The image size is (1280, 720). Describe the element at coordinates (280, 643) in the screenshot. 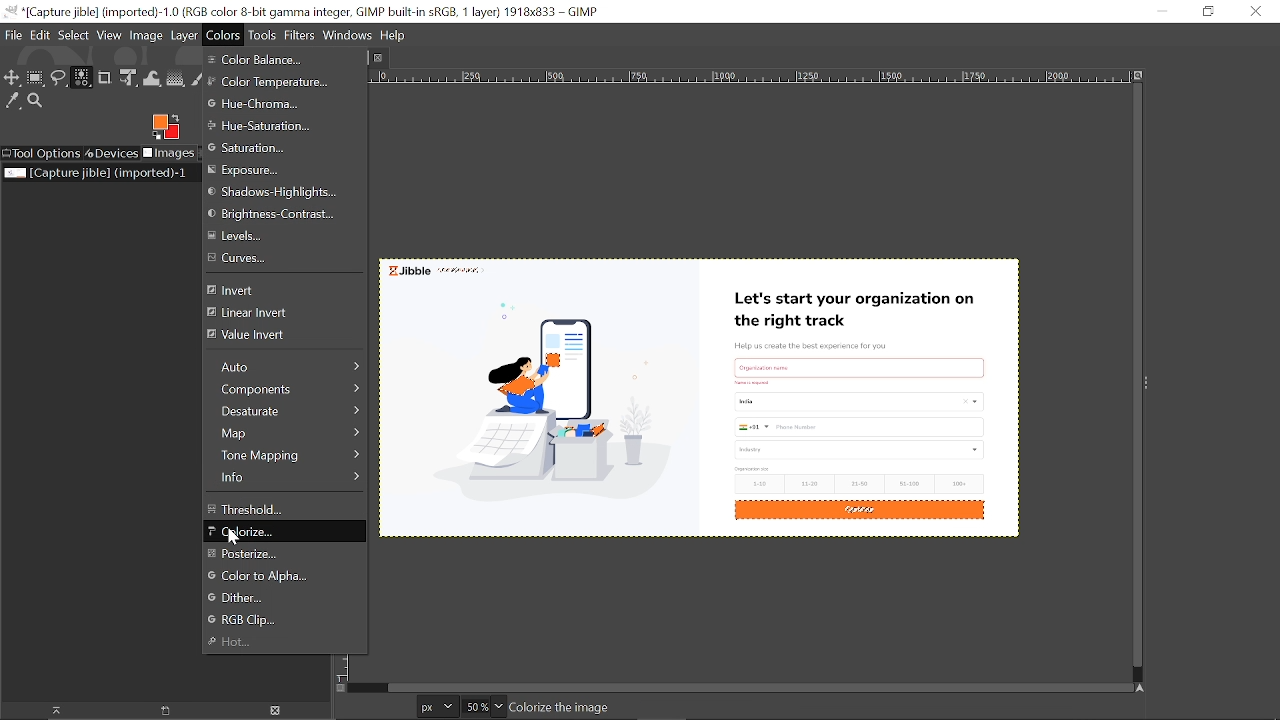

I see `hot` at that location.